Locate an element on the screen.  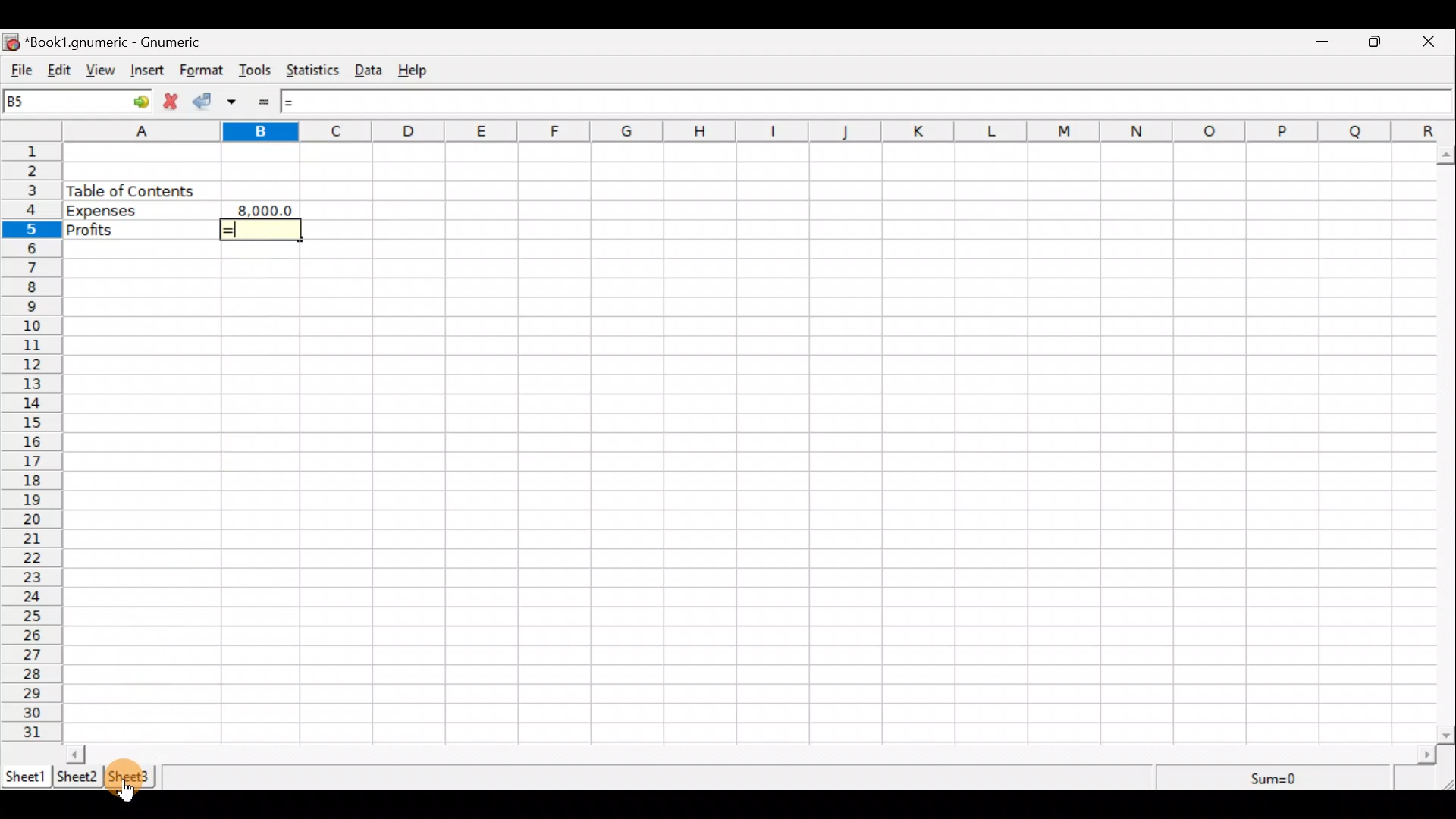
8,000.0 is located at coordinates (268, 209).